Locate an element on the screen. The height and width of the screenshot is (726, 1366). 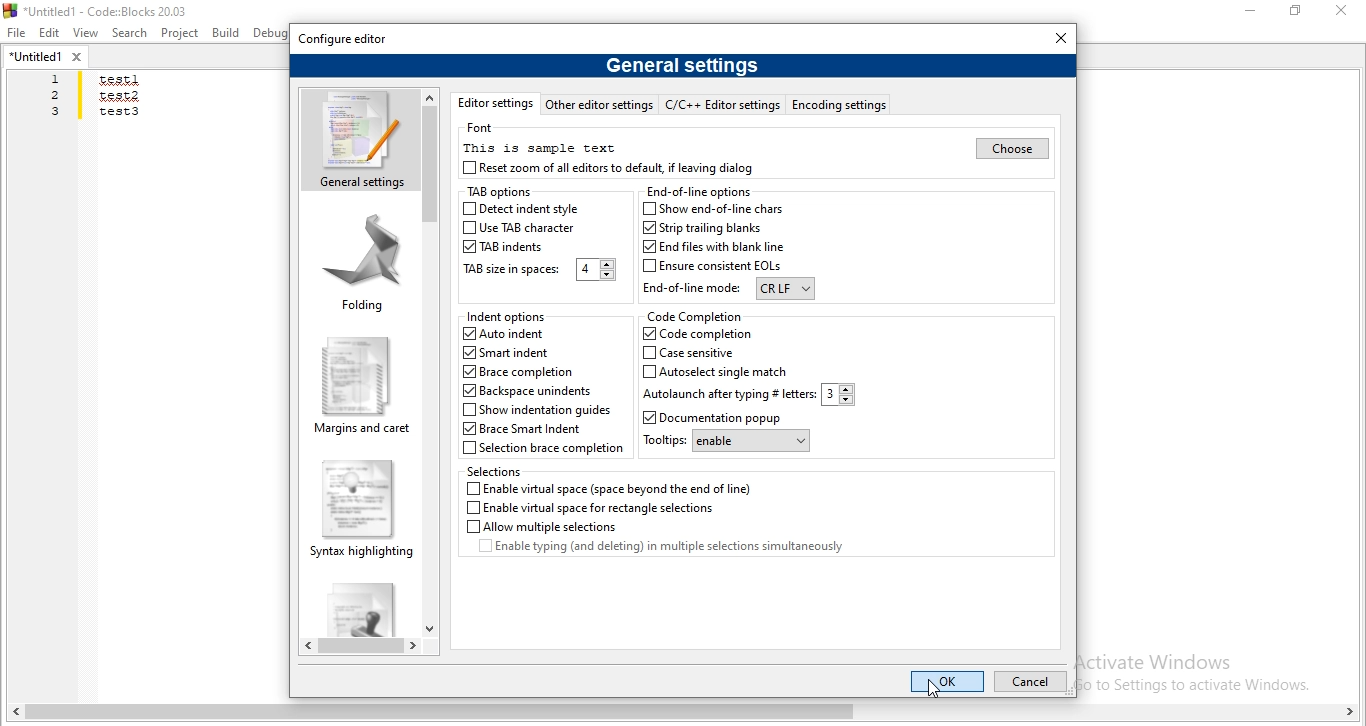
general settings is located at coordinates (359, 139).